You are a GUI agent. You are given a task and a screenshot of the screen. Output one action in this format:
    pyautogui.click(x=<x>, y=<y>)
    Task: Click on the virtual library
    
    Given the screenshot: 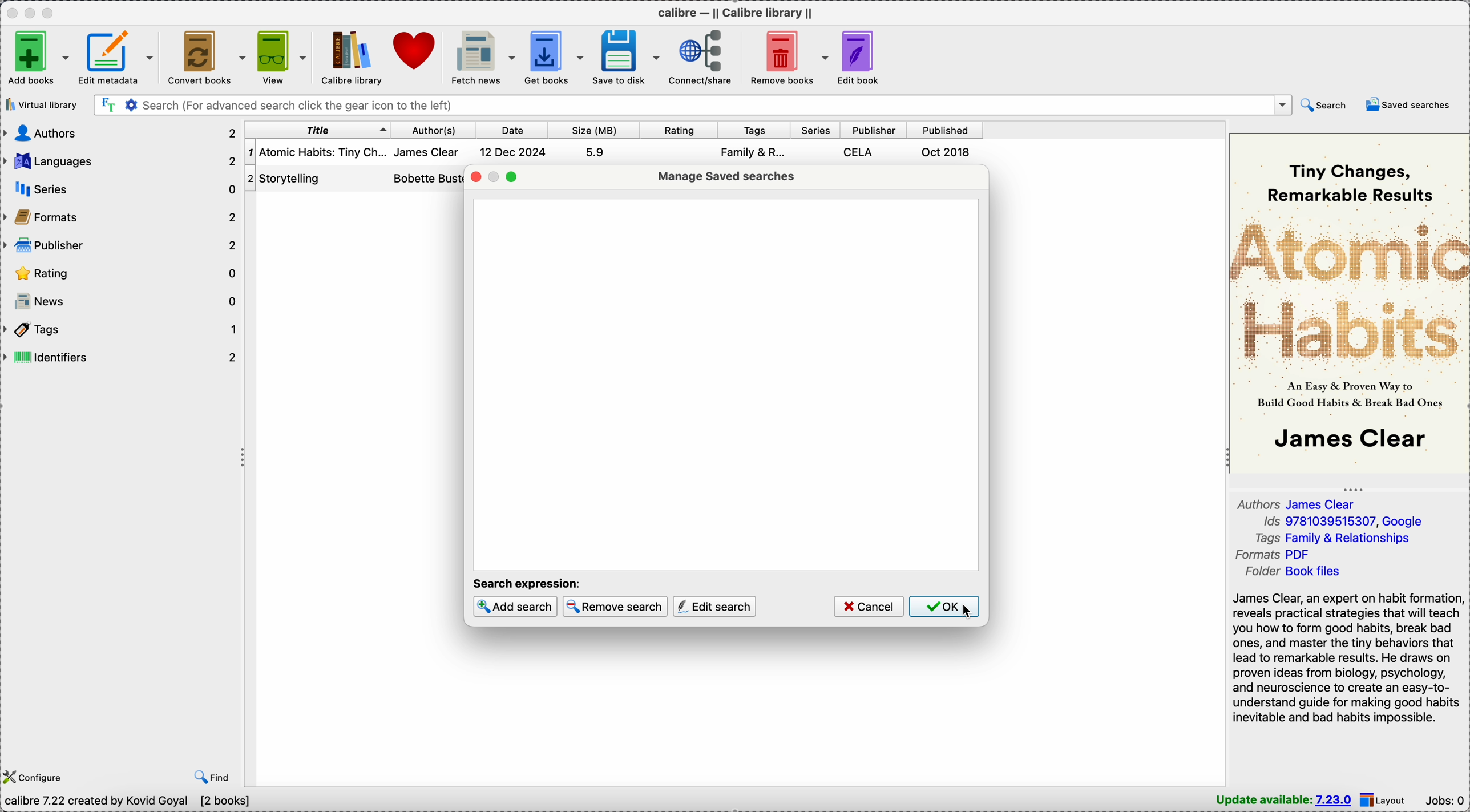 What is the action you would take?
    pyautogui.click(x=42, y=106)
    